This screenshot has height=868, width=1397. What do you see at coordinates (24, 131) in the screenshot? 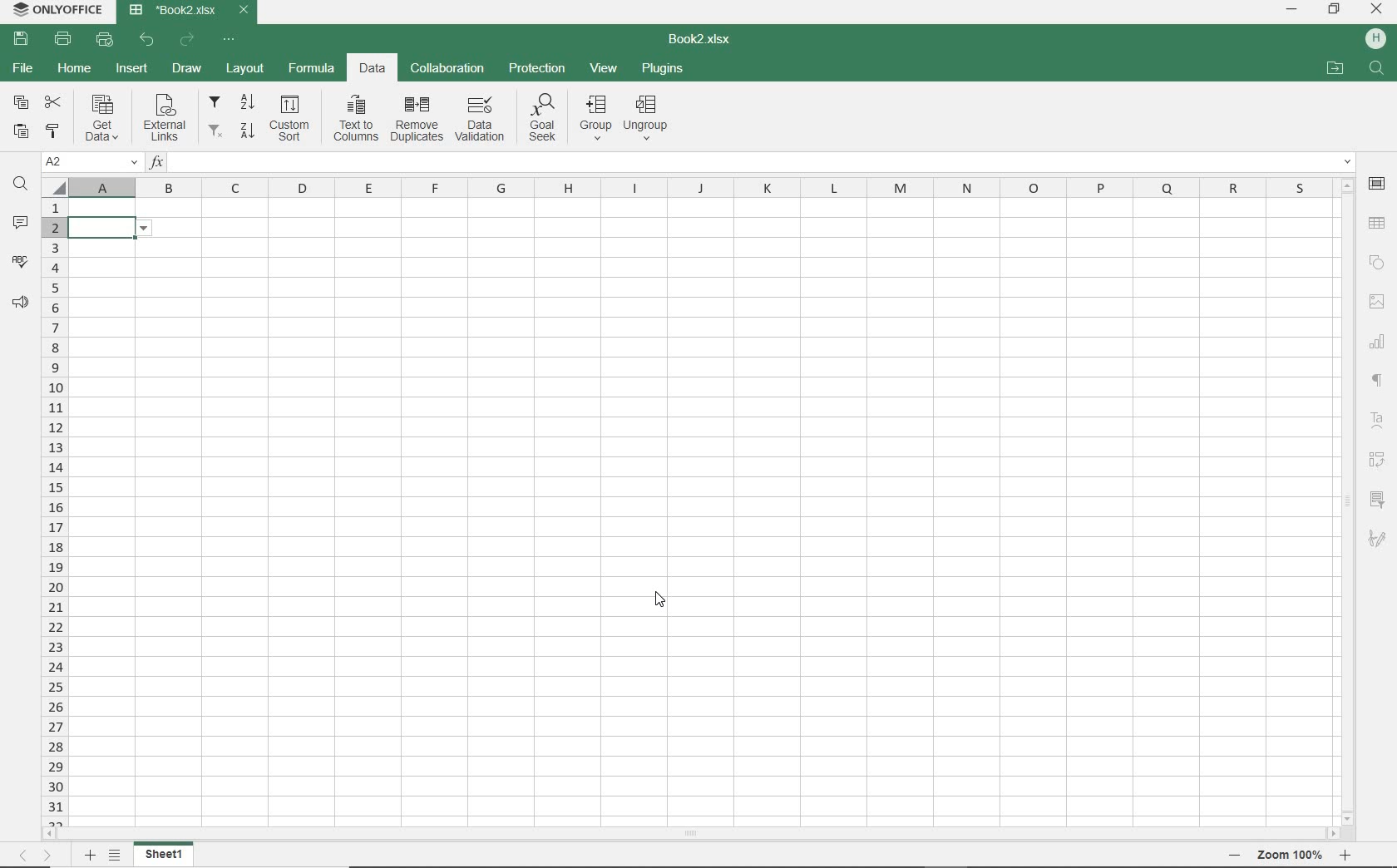
I see `PASTE` at bounding box center [24, 131].